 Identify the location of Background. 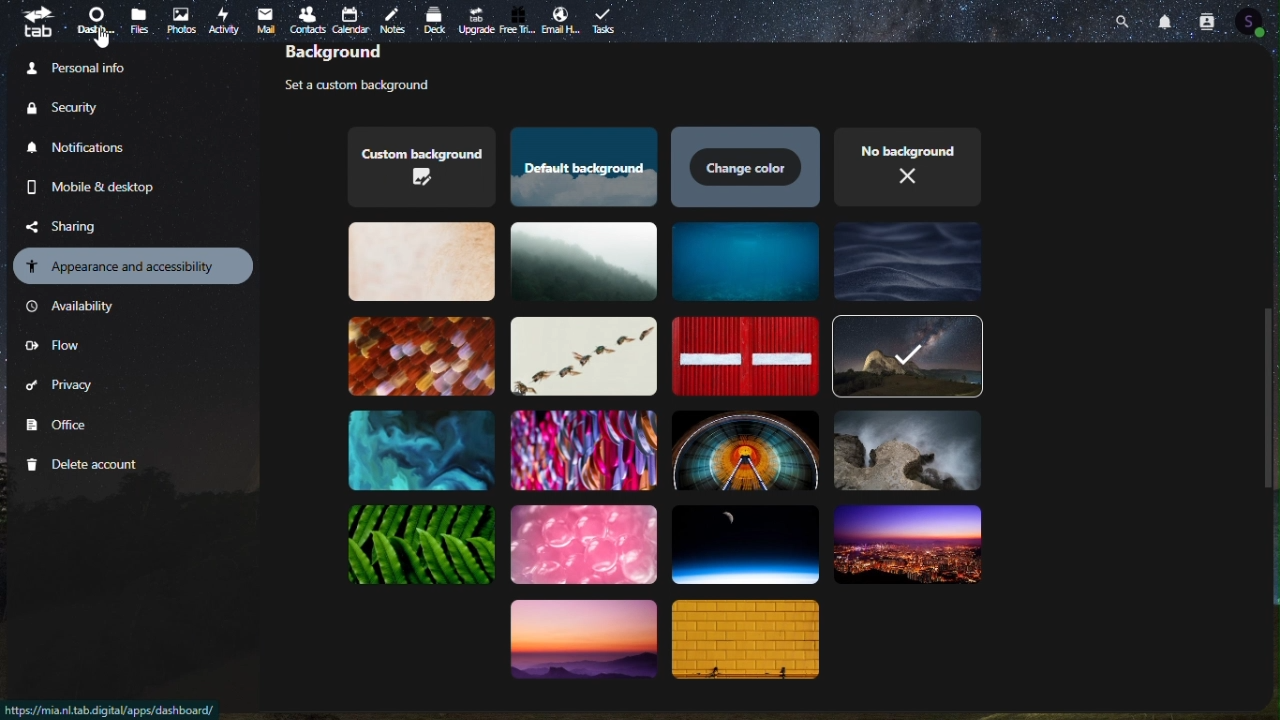
(367, 56).